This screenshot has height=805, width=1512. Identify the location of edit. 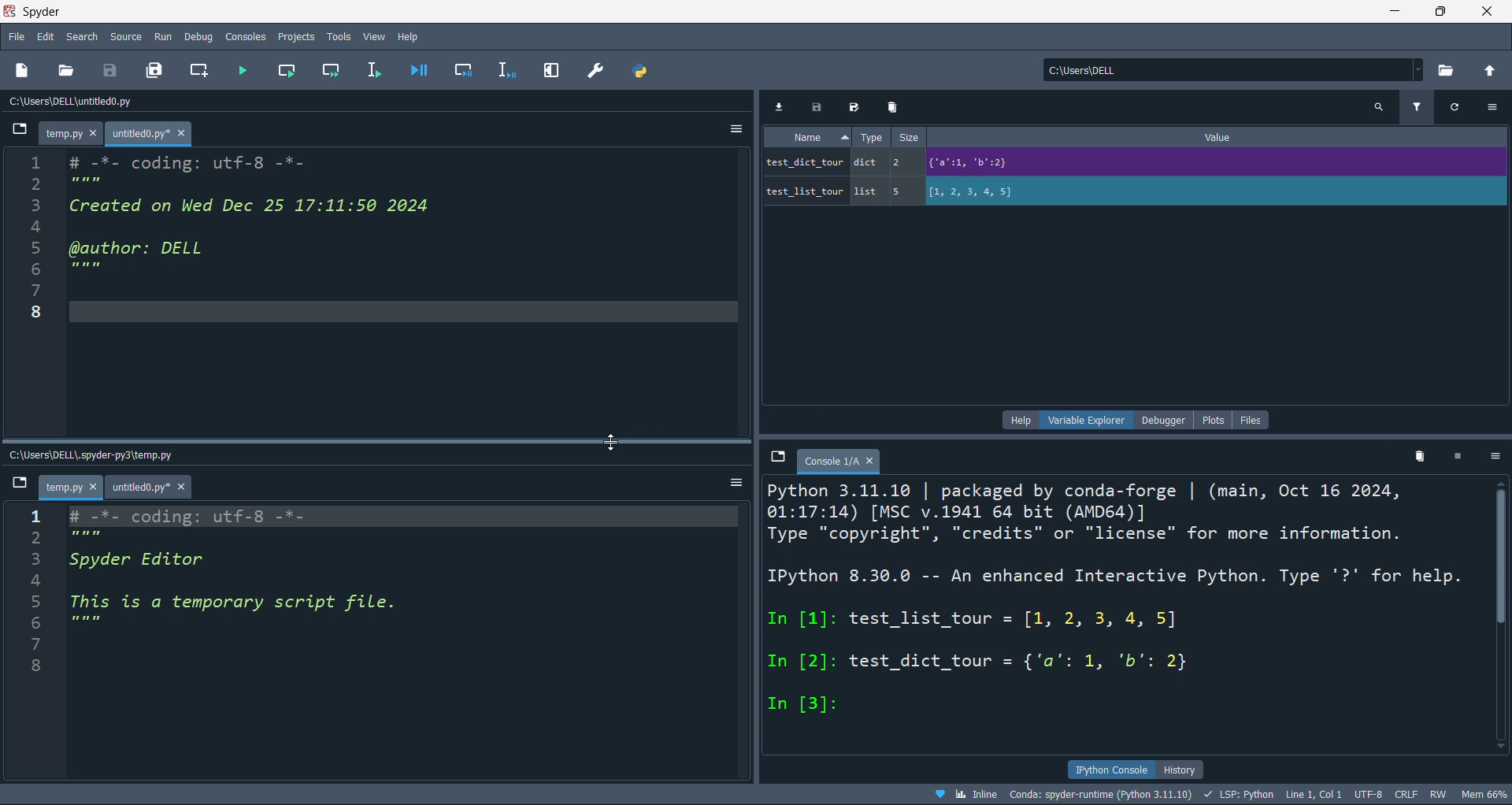
(46, 36).